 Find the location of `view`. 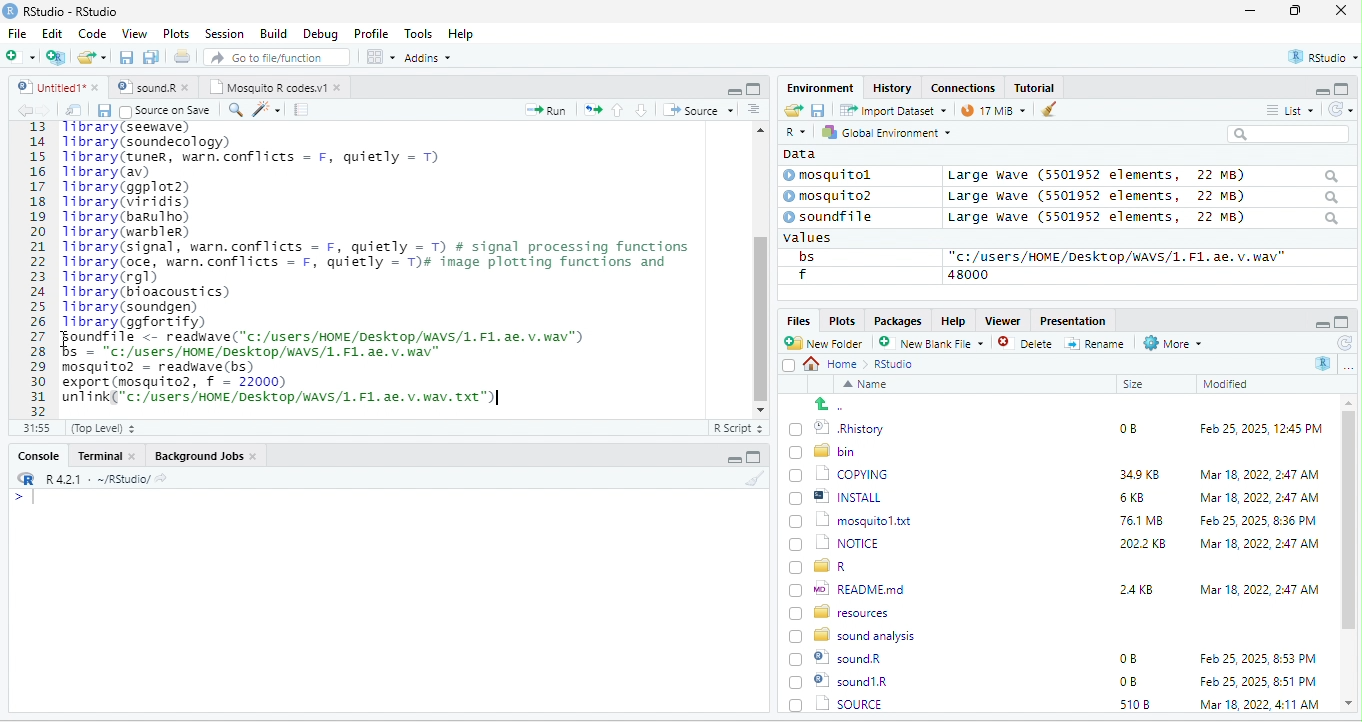

view is located at coordinates (380, 57).